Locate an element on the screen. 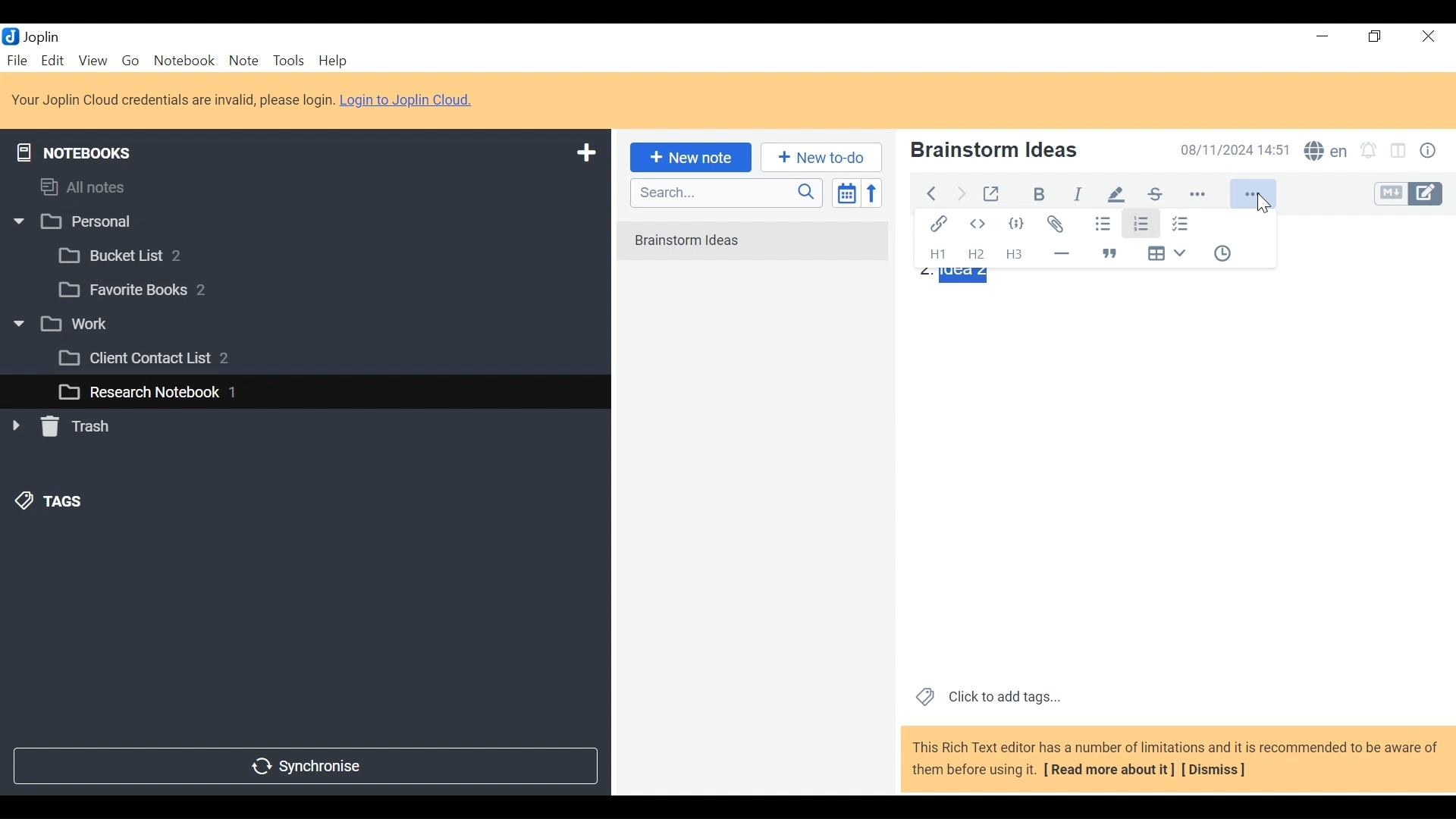 This screenshot has height=819, width=1456. Help is located at coordinates (335, 61).